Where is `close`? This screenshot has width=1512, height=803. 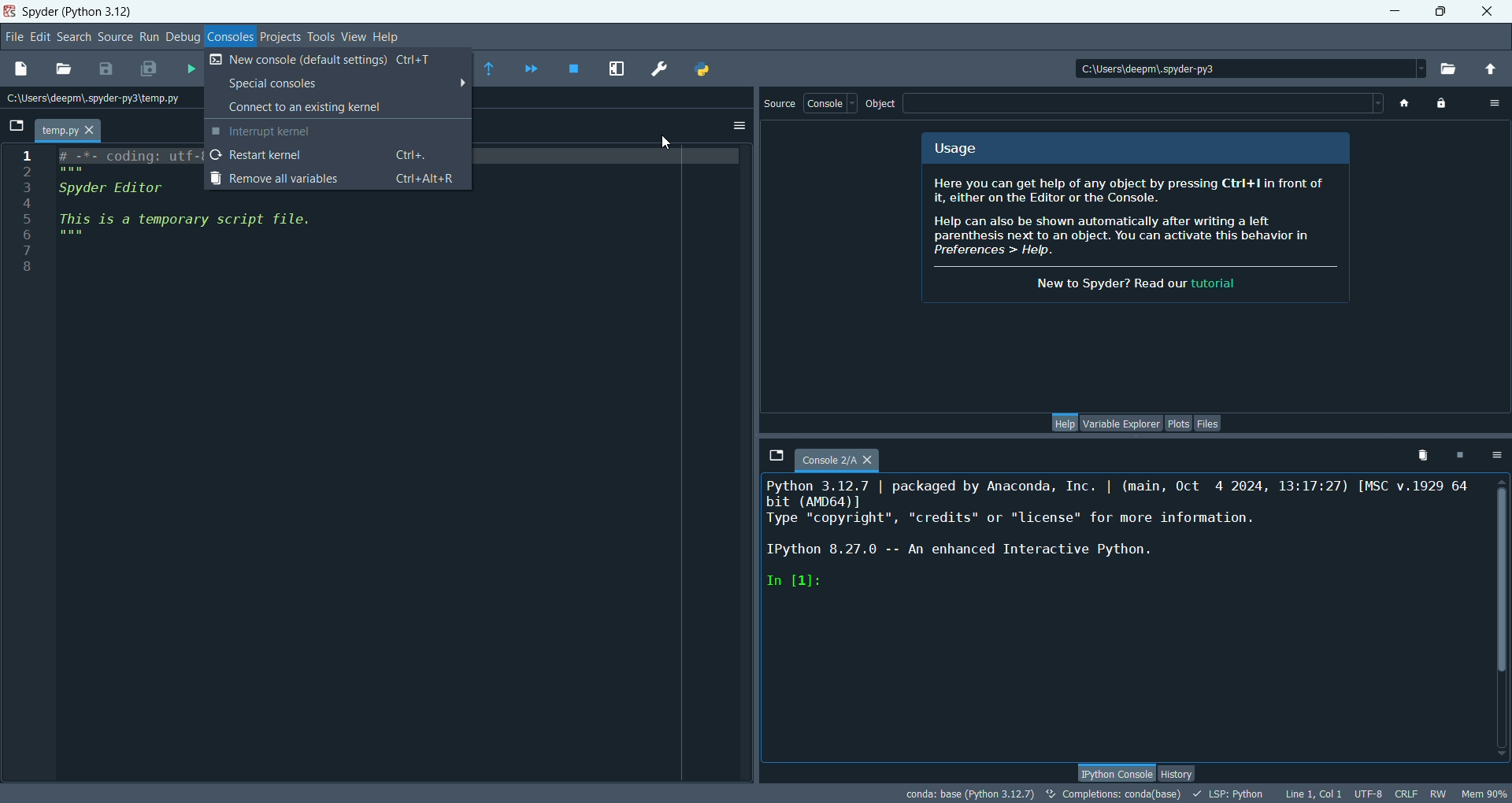
close is located at coordinates (1486, 12).